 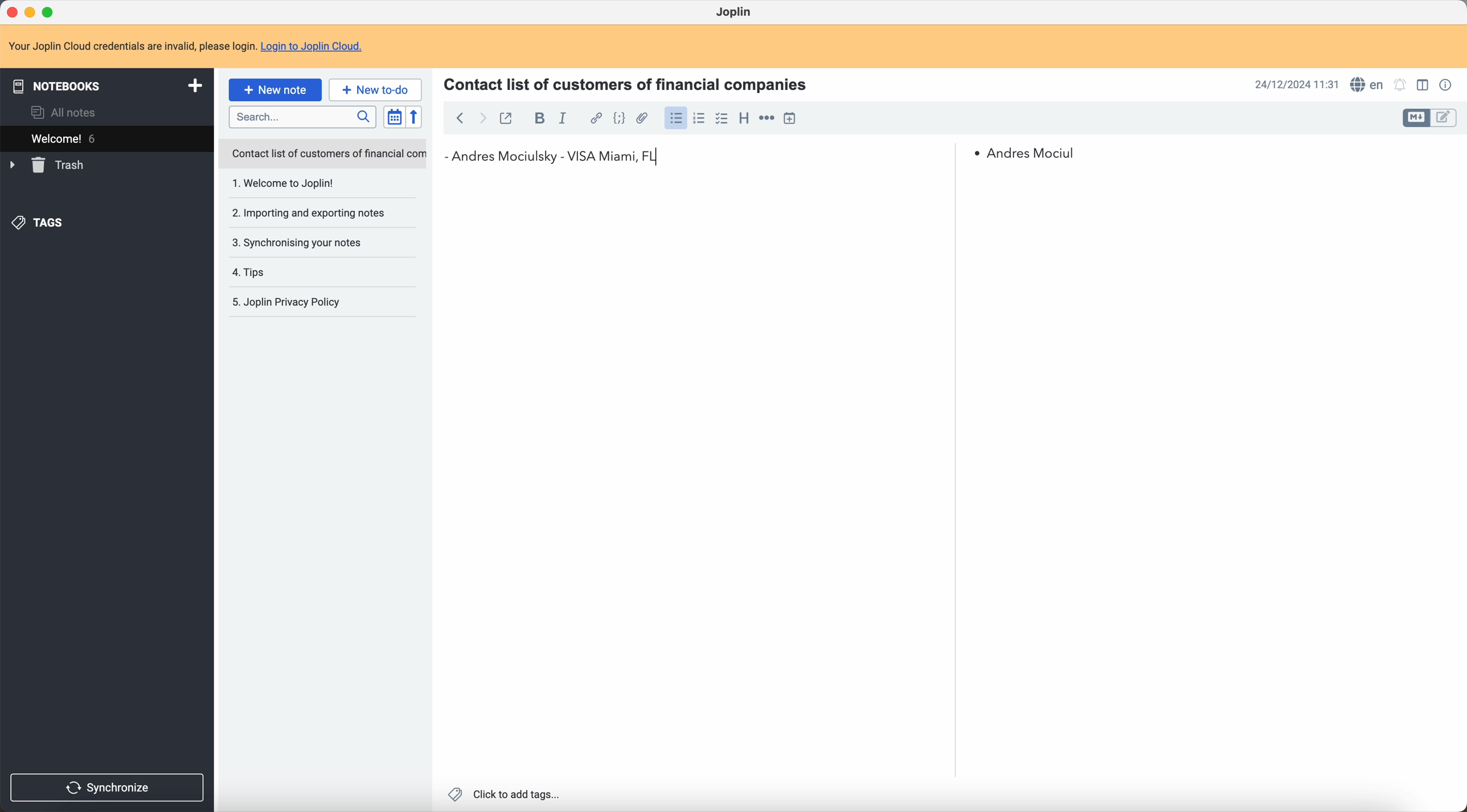 I want to click on Contact list of customers of financial com, so click(x=327, y=154).